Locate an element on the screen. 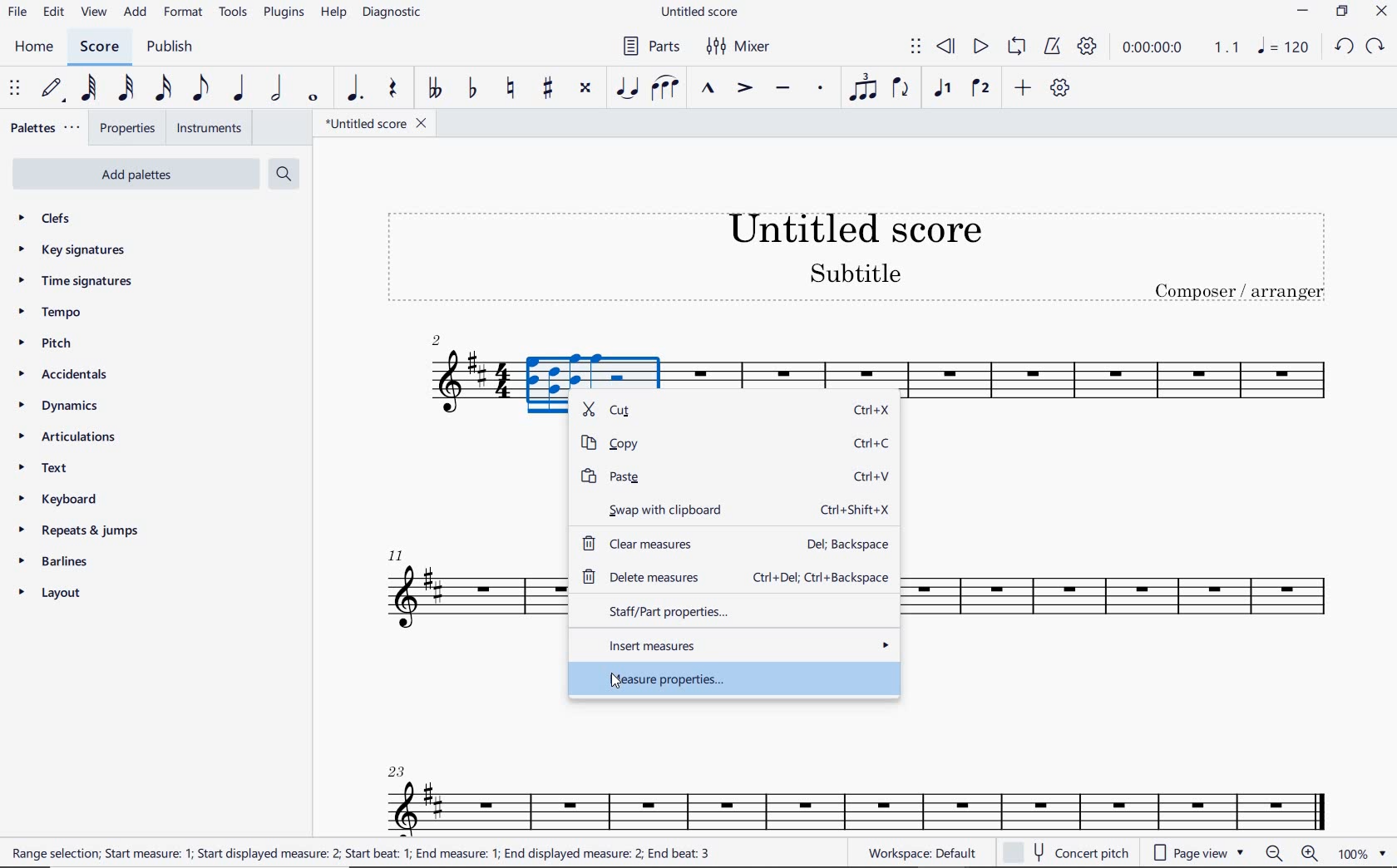  INSTRUMENT: TENOR SAXOPHONE is located at coordinates (471, 378).